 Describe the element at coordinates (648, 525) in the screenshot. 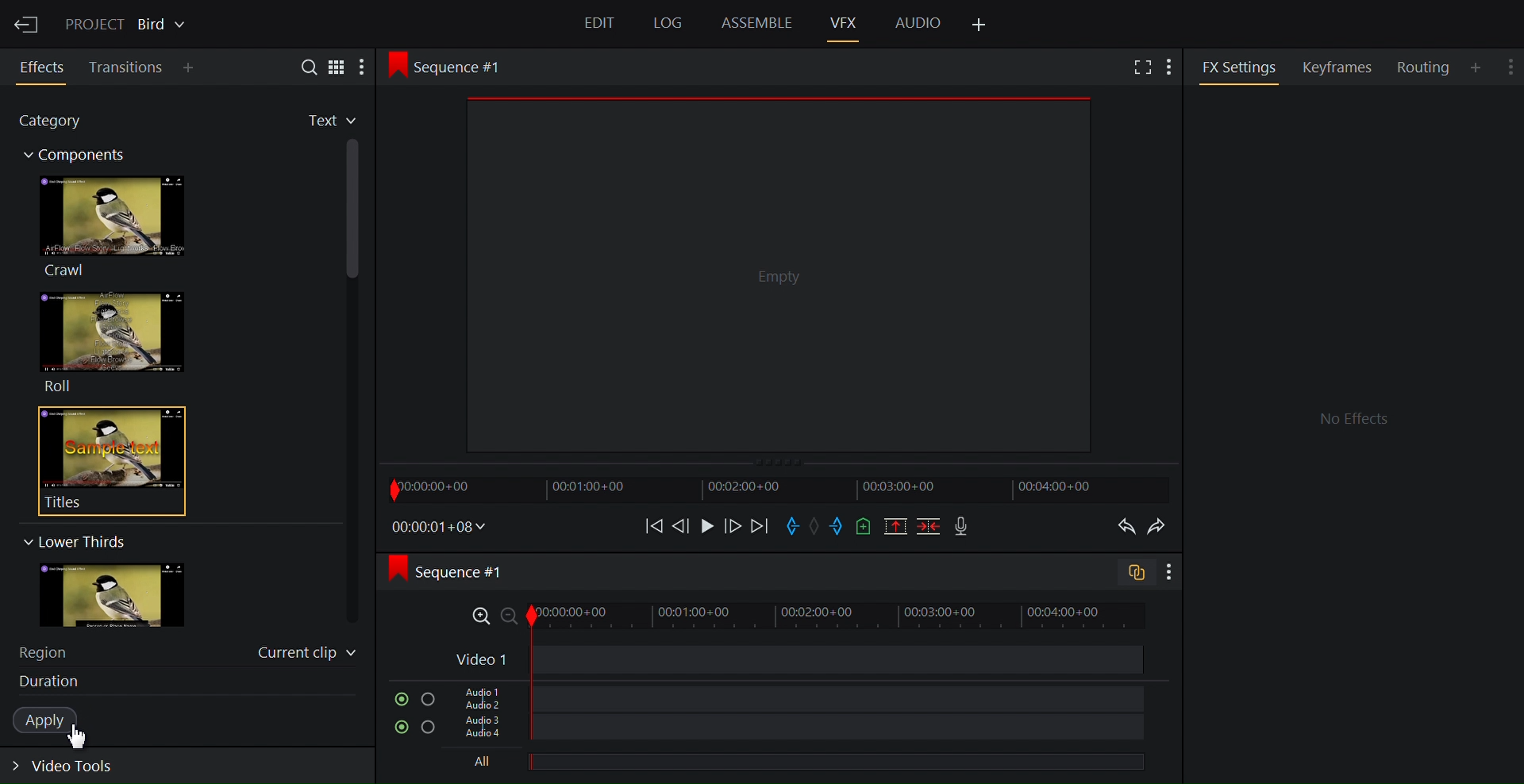

I see `Move backward` at that location.